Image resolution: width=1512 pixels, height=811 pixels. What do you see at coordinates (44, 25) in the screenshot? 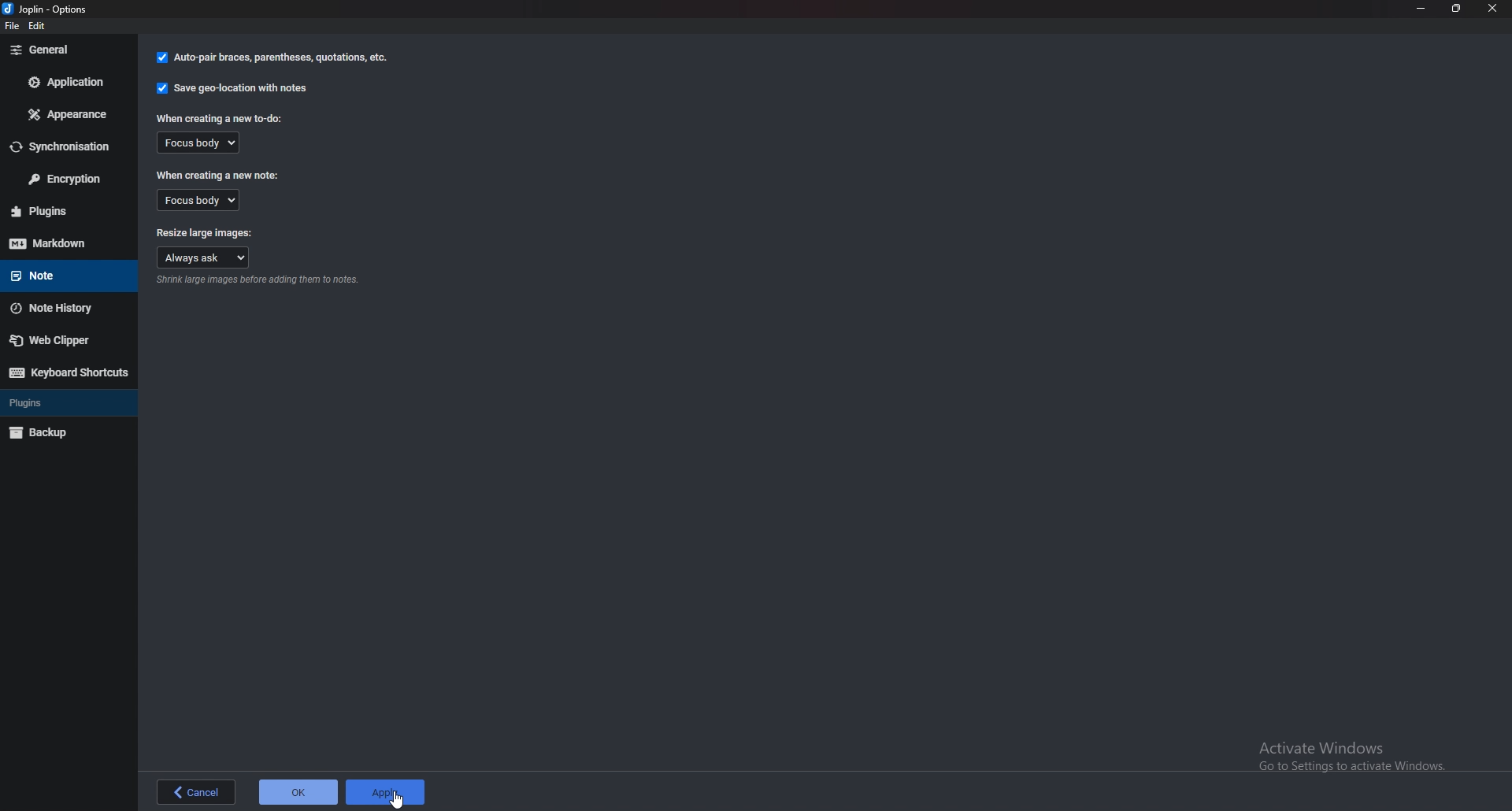
I see `edit` at bounding box center [44, 25].